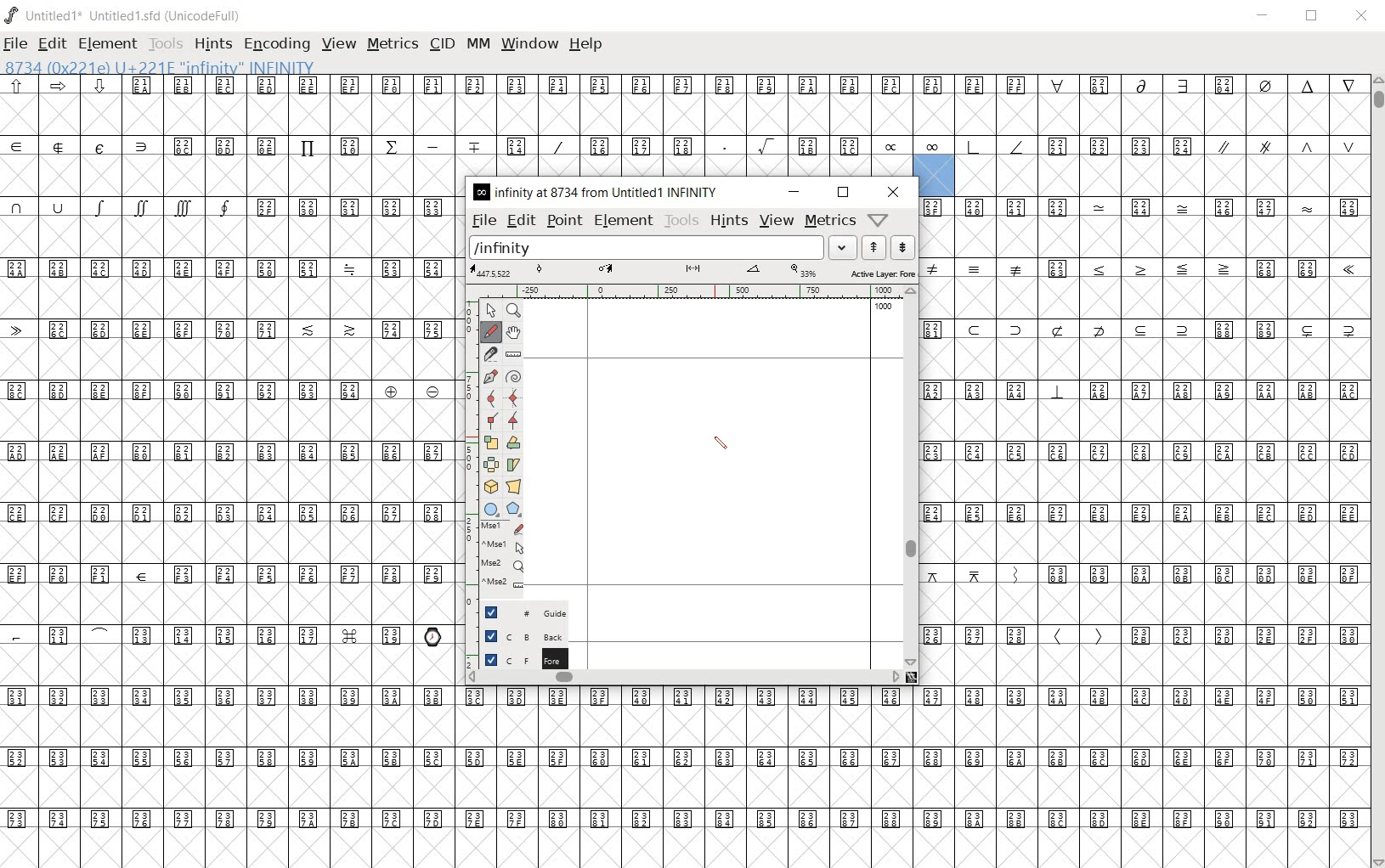  I want to click on file, so click(483, 220).